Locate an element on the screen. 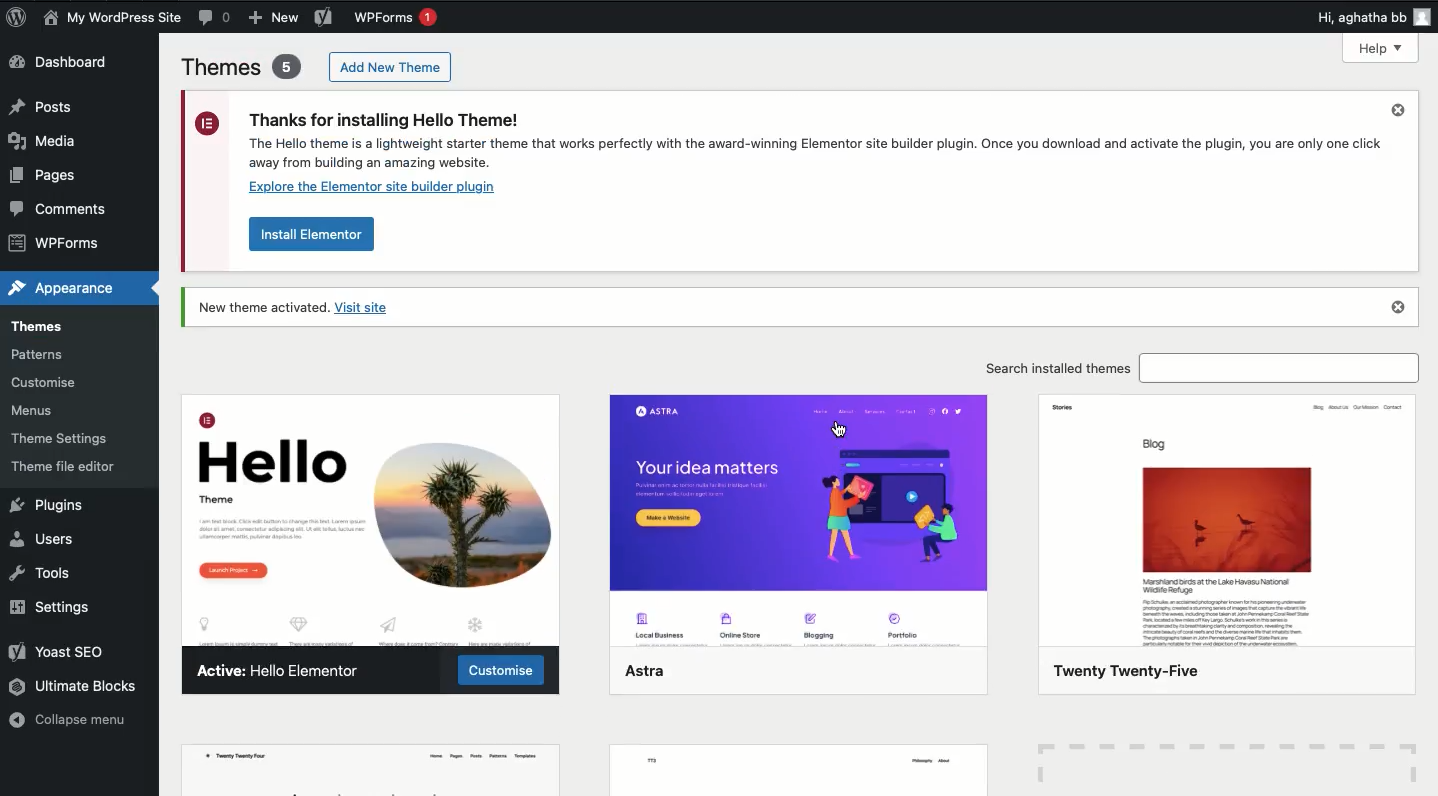 Image resolution: width=1438 pixels, height=796 pixels. Search installed themes is located at coordinates (1197, 367).